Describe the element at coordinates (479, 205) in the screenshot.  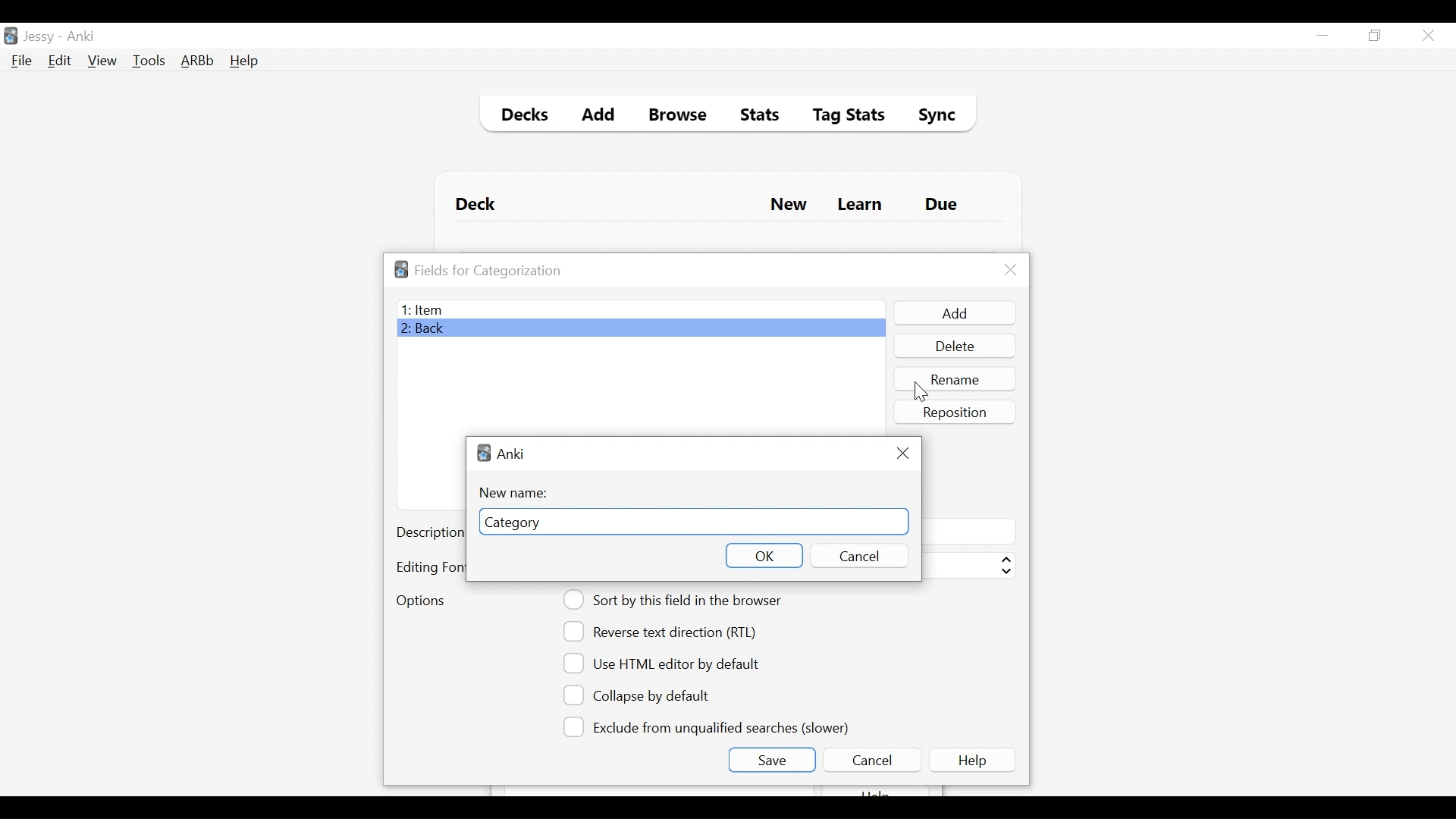
I see `Deck` at that location.